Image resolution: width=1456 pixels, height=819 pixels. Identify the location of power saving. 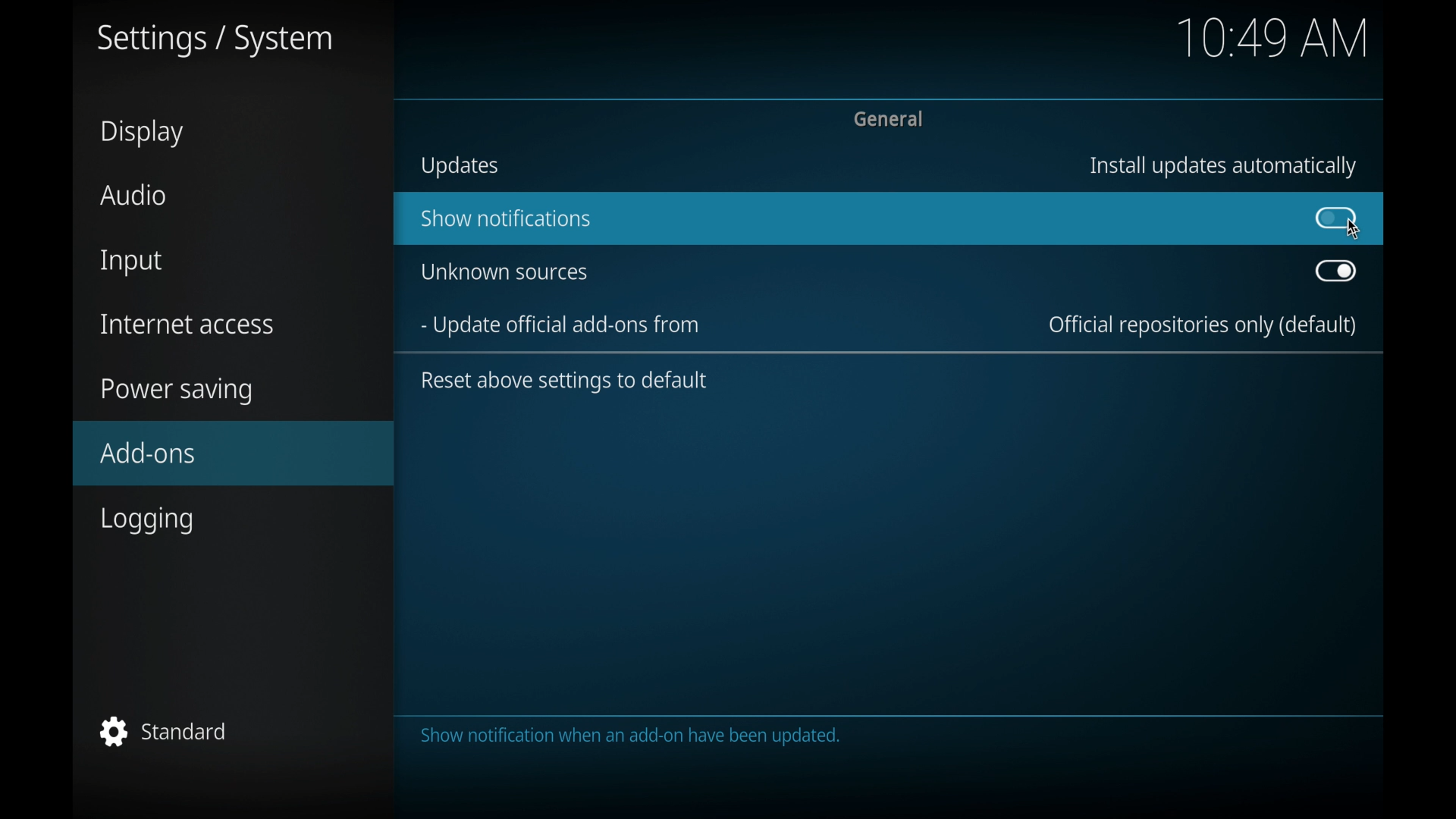
(177, 391).